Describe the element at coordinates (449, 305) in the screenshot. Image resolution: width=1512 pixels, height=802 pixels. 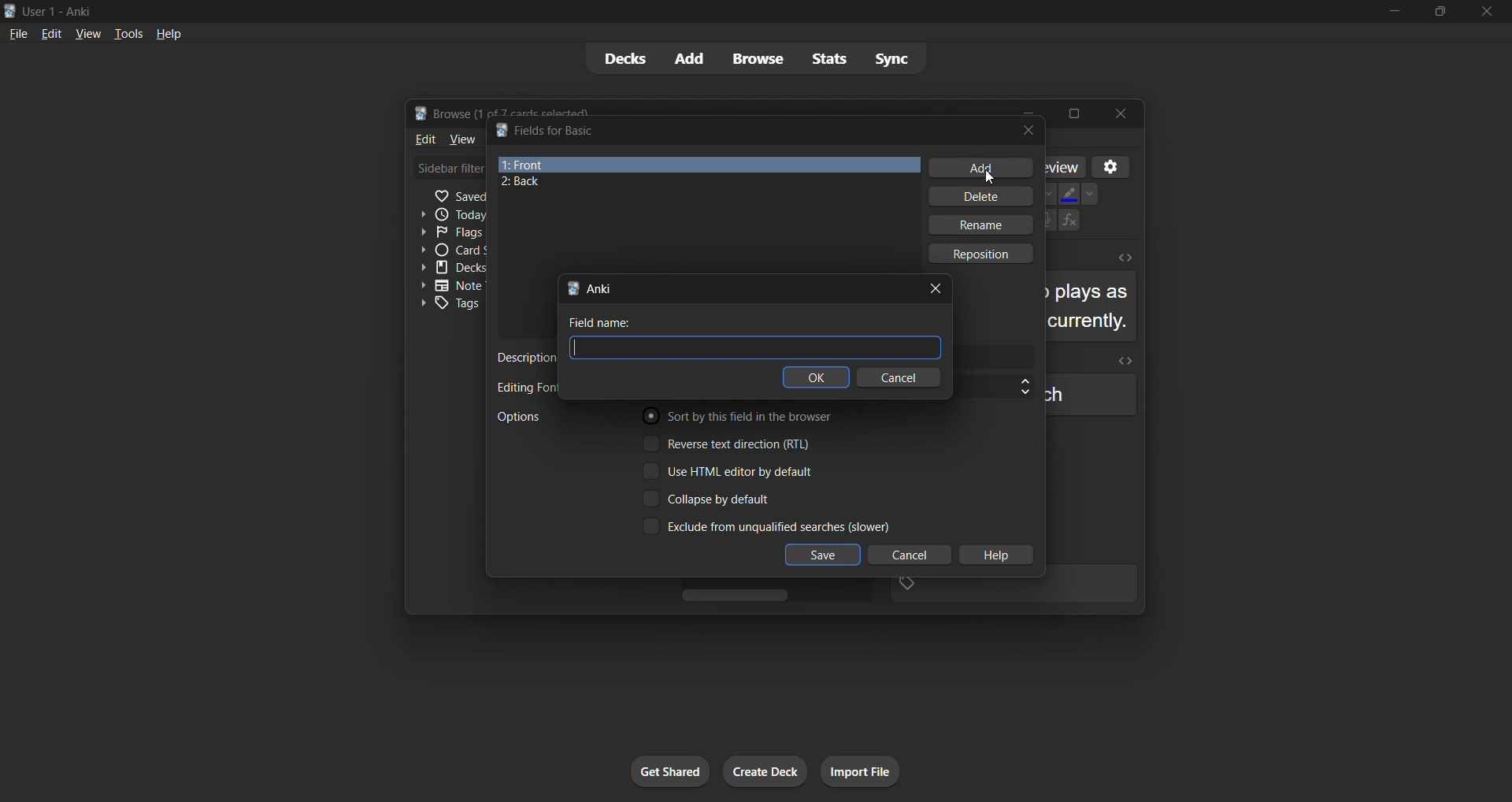
I see `Tags` at that location.